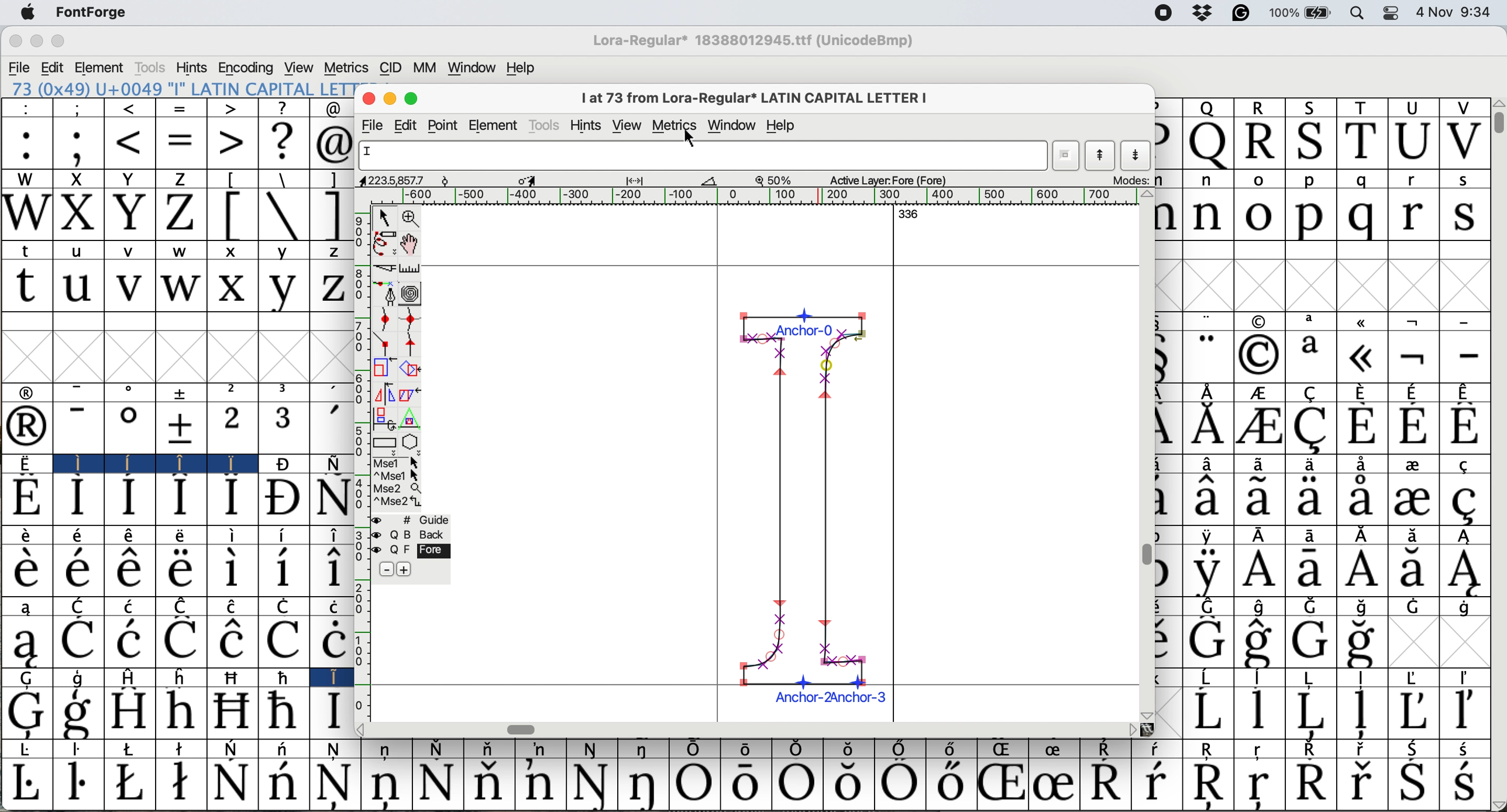  I want to click on Symbol, so click(231, 711).